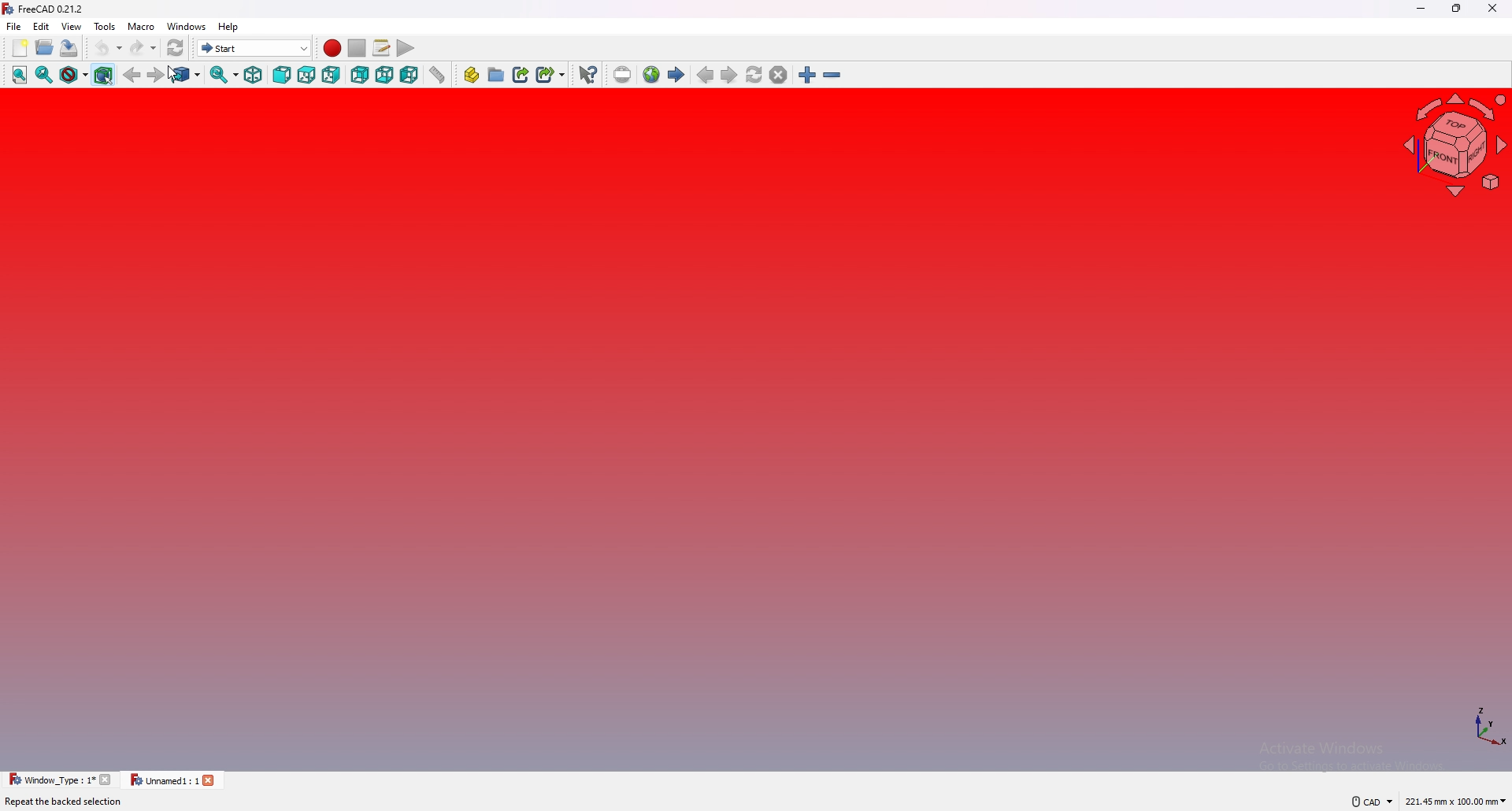 This screenshot has height=811, width=1512. What do you see at coordinates (333, 48) in the screenshot?
I see `record macros` at bounding box center [333, 48].